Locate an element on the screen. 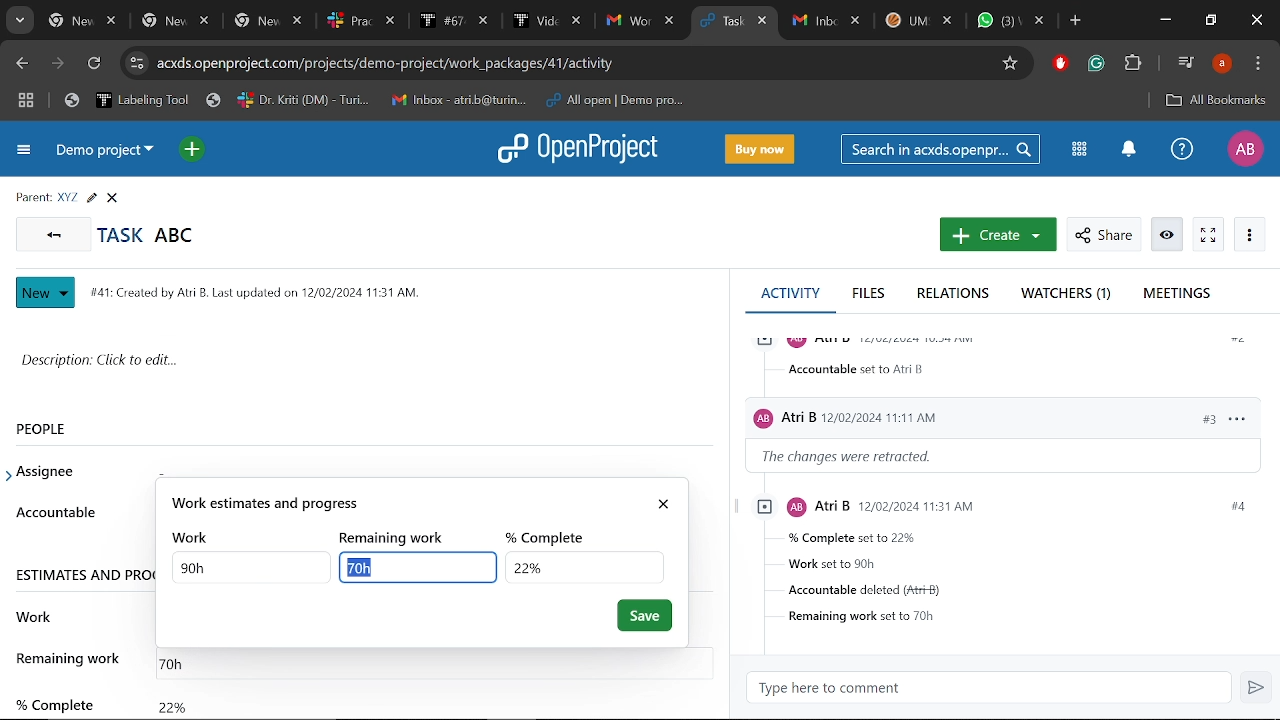 The height and width of the screenshot is (720, 1280). Current tab is located at coordinates (718, 22).